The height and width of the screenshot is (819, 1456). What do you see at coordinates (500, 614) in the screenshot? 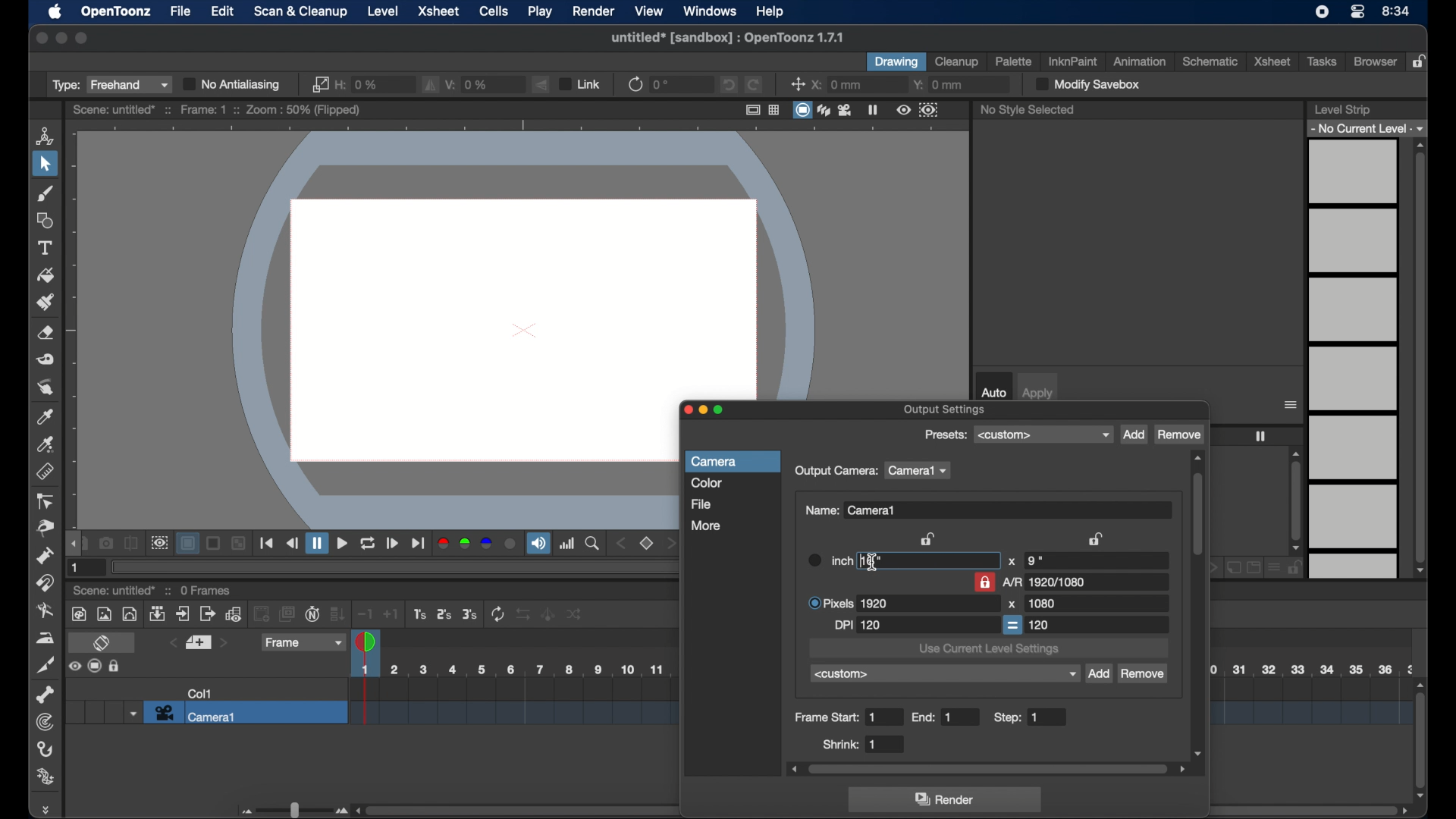
I see `` at bounding box center [500, 614].